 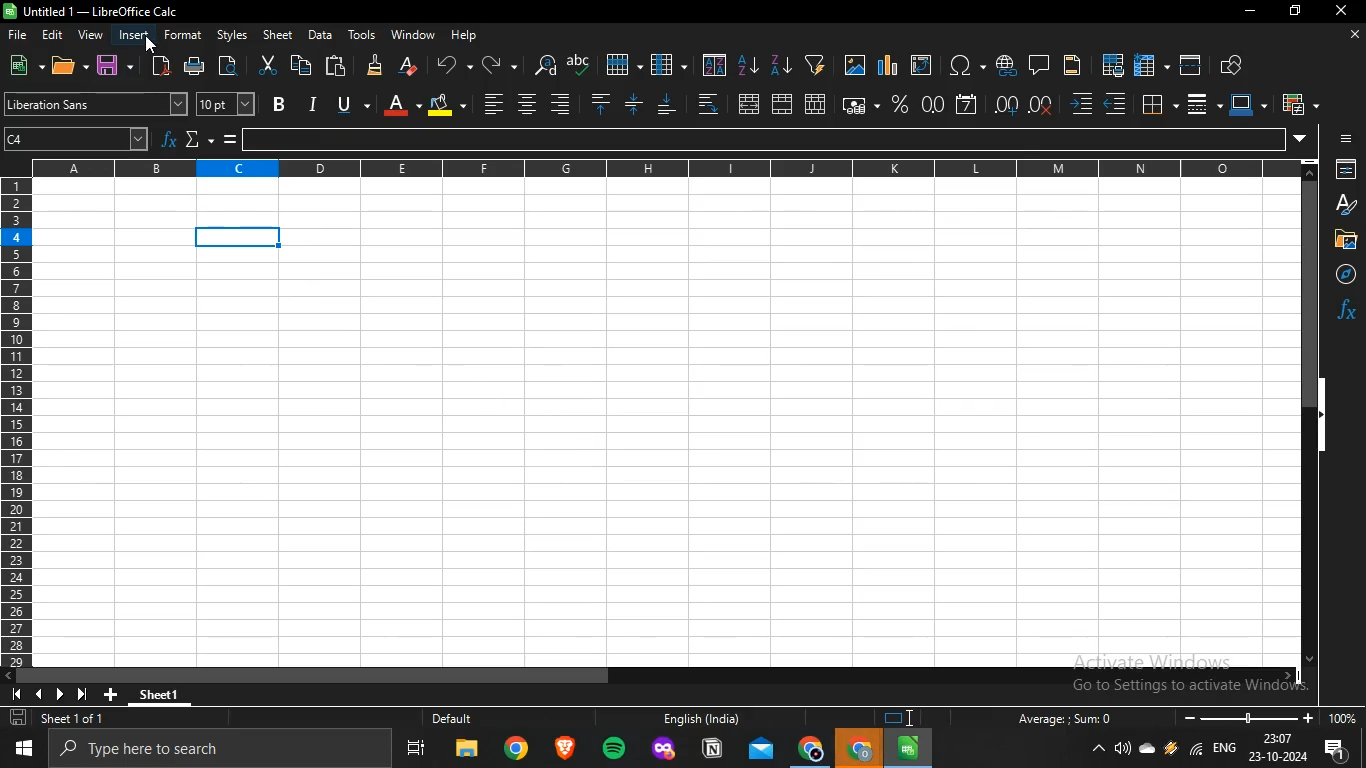 What do you see at coordinates (1039, 63) in the screenshot?
I see `insert comment ` at bounding box center [1039, 63].